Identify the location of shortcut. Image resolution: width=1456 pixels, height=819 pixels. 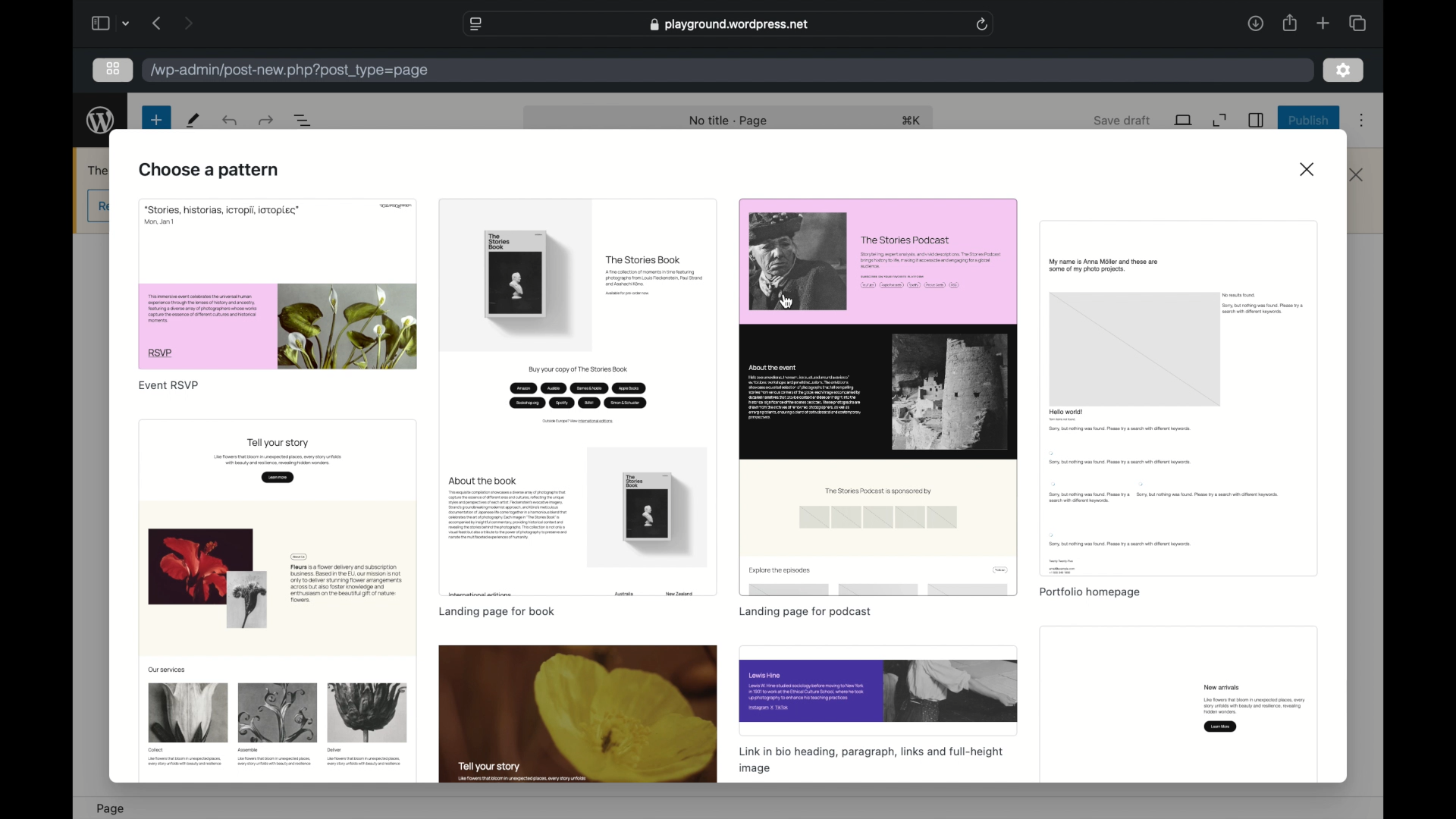
(913, 121).